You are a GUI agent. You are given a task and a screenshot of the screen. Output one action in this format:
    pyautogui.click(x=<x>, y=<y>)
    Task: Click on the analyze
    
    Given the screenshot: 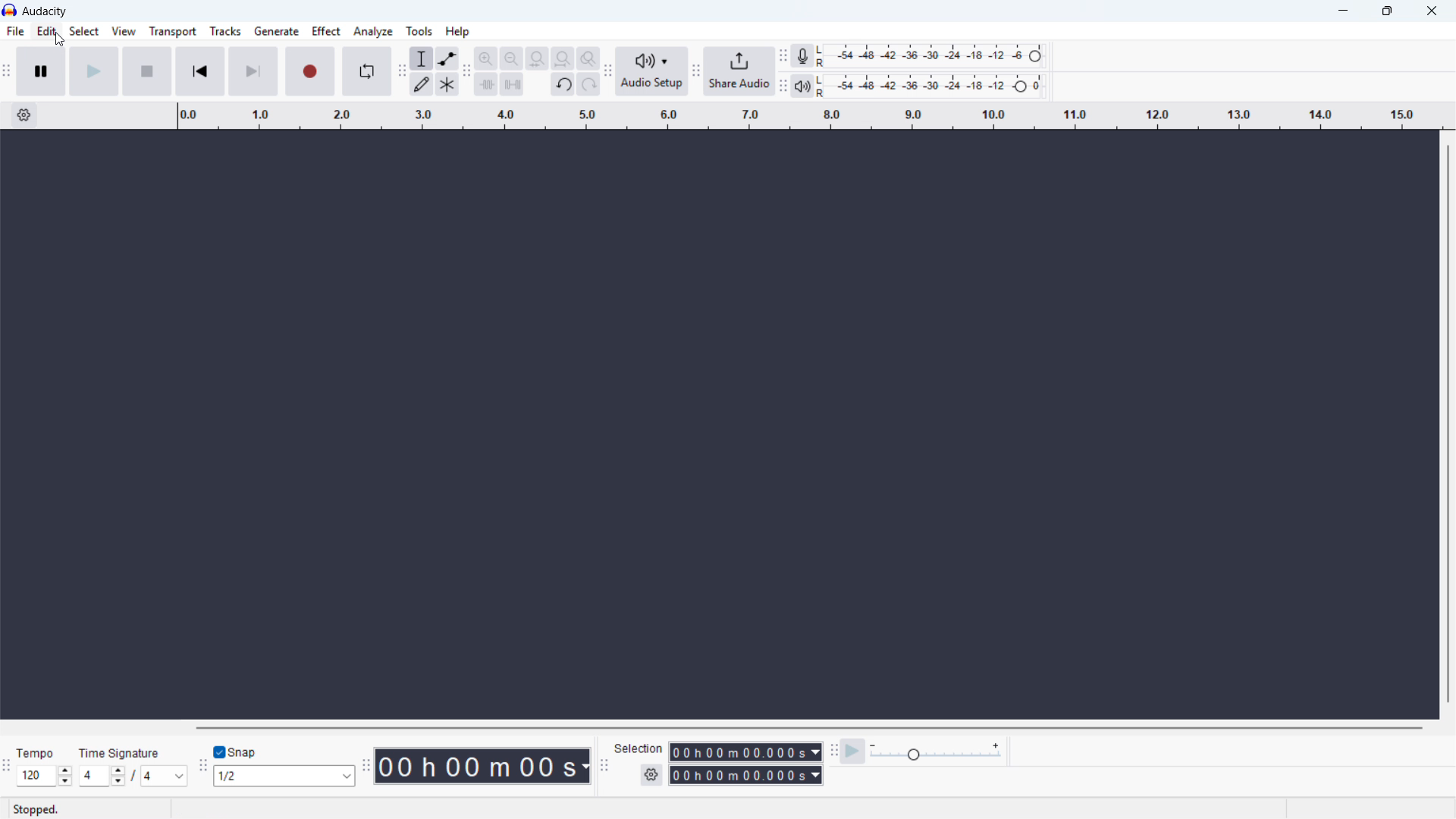 What is the action you would take?
    pyautogui.click(x=374, y=31)
    